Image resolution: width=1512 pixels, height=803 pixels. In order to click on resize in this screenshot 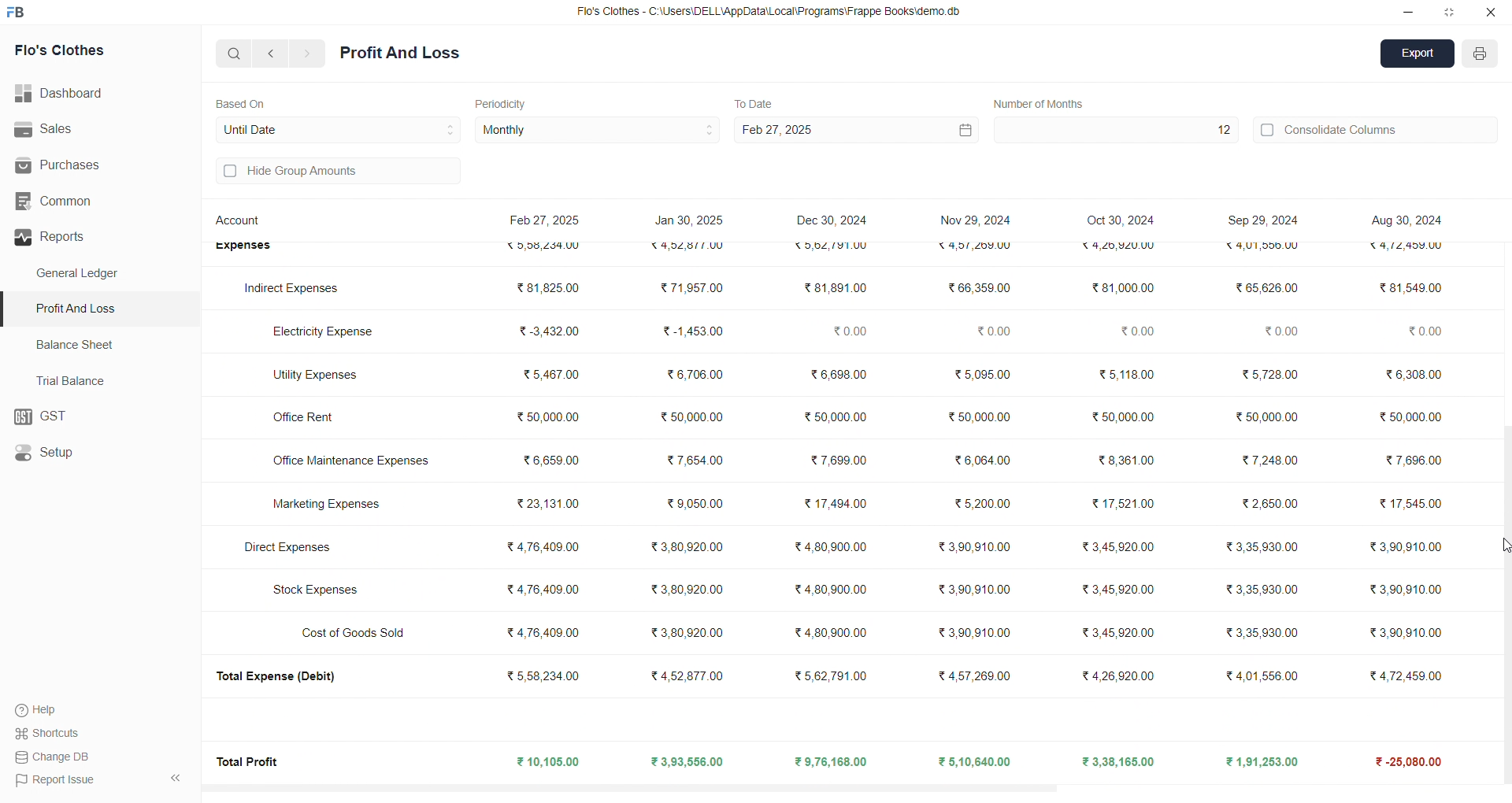, I will do `click(1449, 12)`.